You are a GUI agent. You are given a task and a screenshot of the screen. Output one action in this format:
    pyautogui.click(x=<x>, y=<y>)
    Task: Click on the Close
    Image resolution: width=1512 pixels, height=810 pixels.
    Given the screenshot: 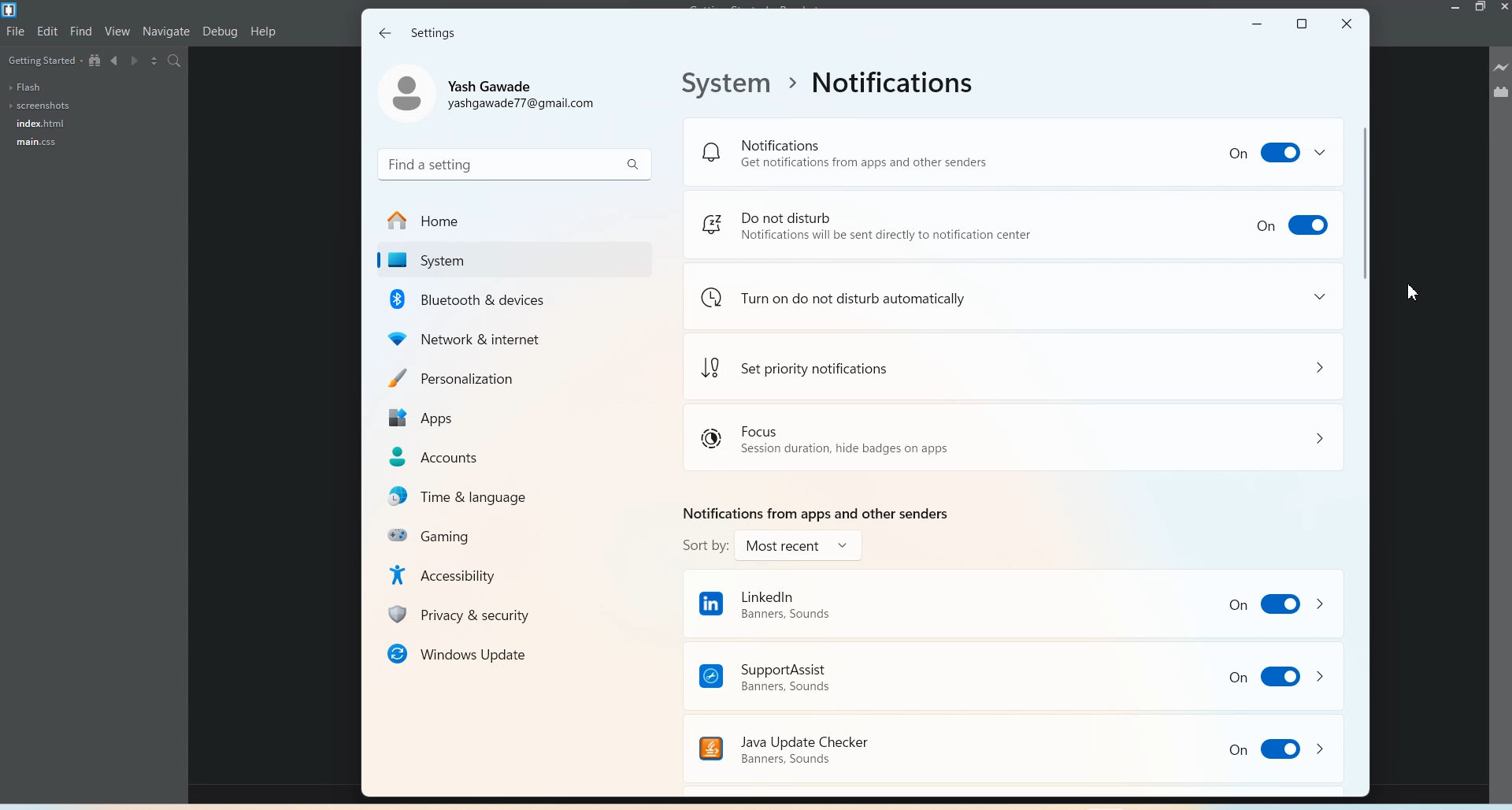 What is the action you would take?
    pyautogui.click(x=1503, y=8)
    